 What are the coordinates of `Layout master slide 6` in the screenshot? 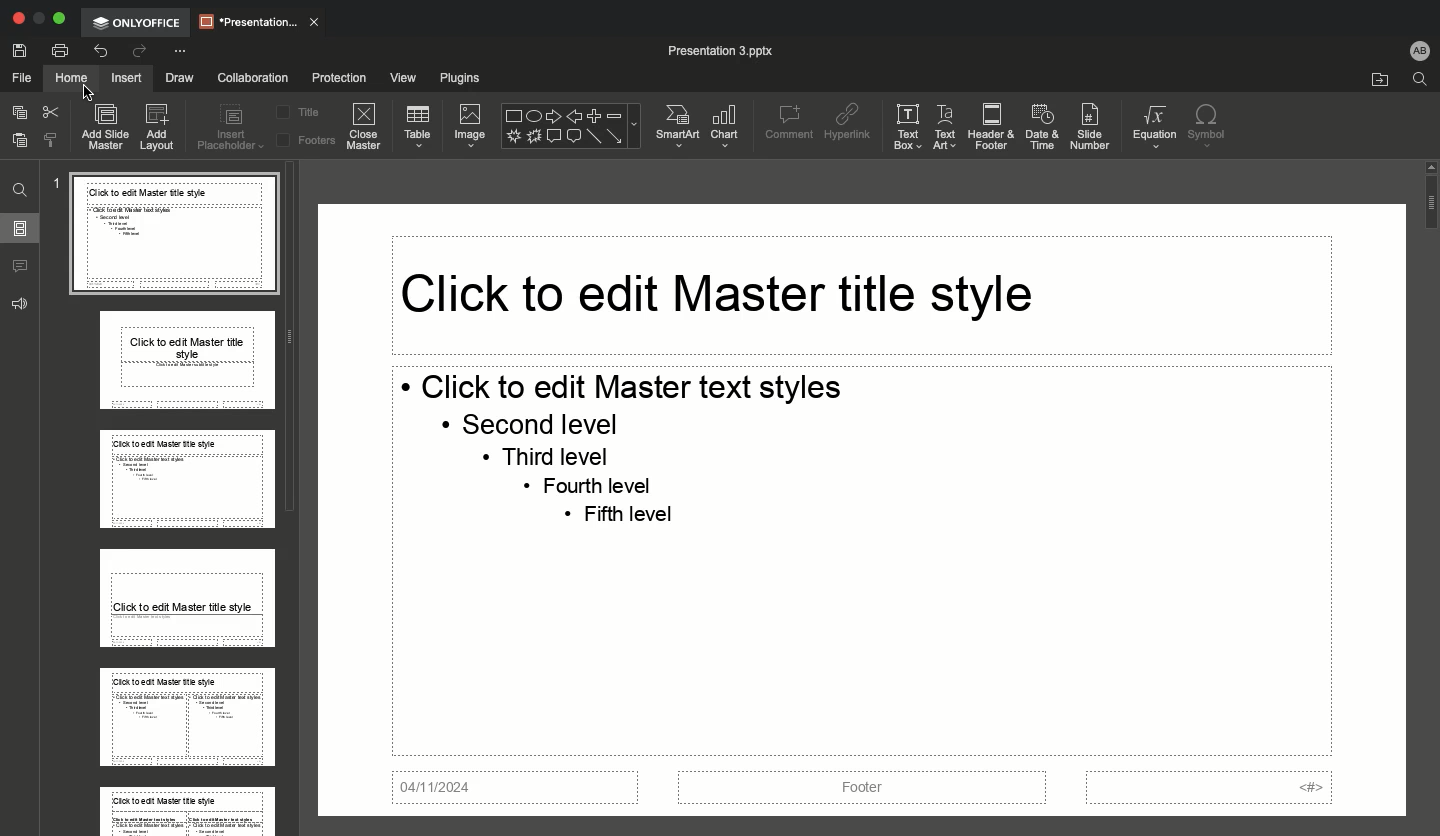 It's located at (185, 807).